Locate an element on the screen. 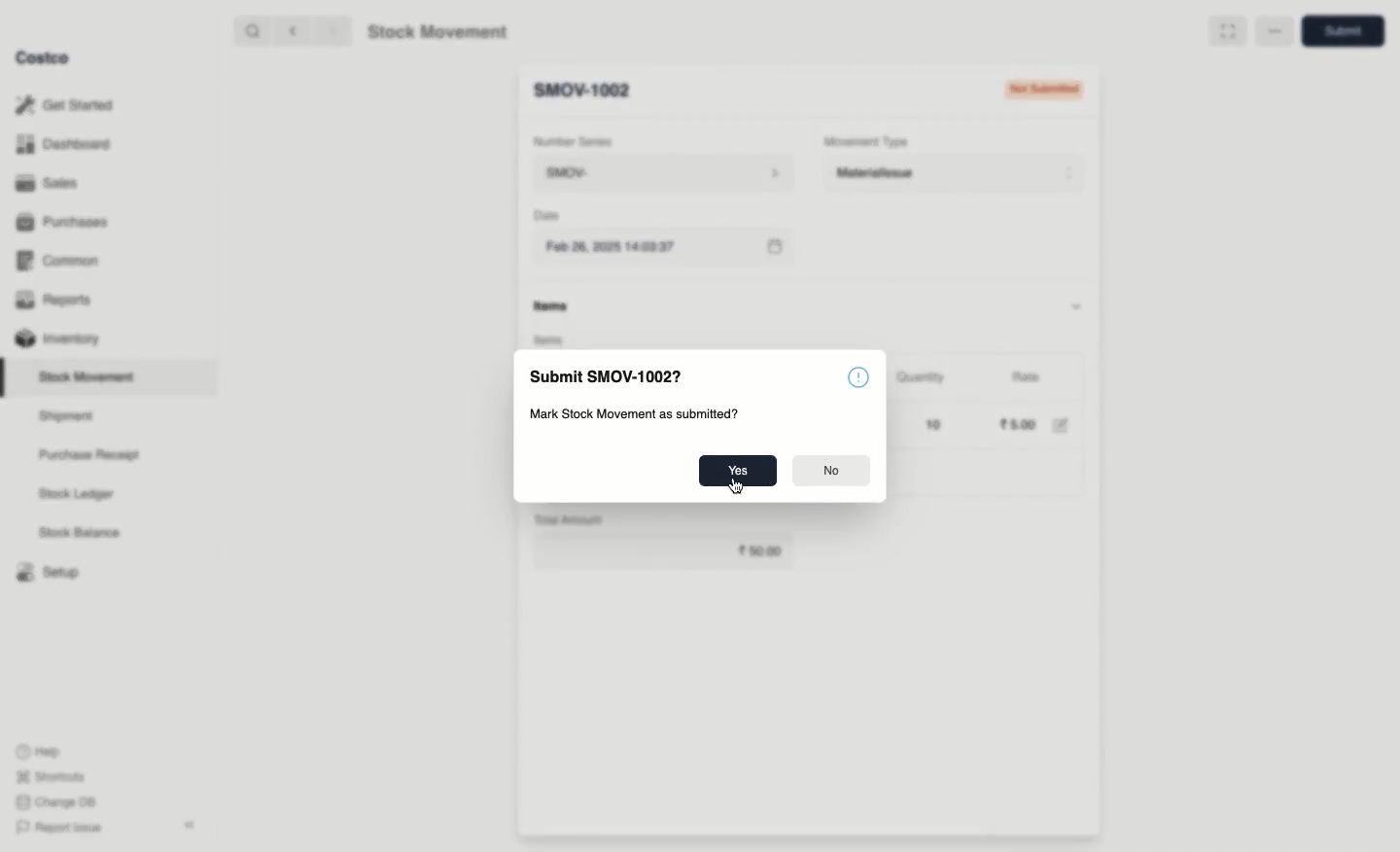  Report Issue is located at coordinates (61, 828).